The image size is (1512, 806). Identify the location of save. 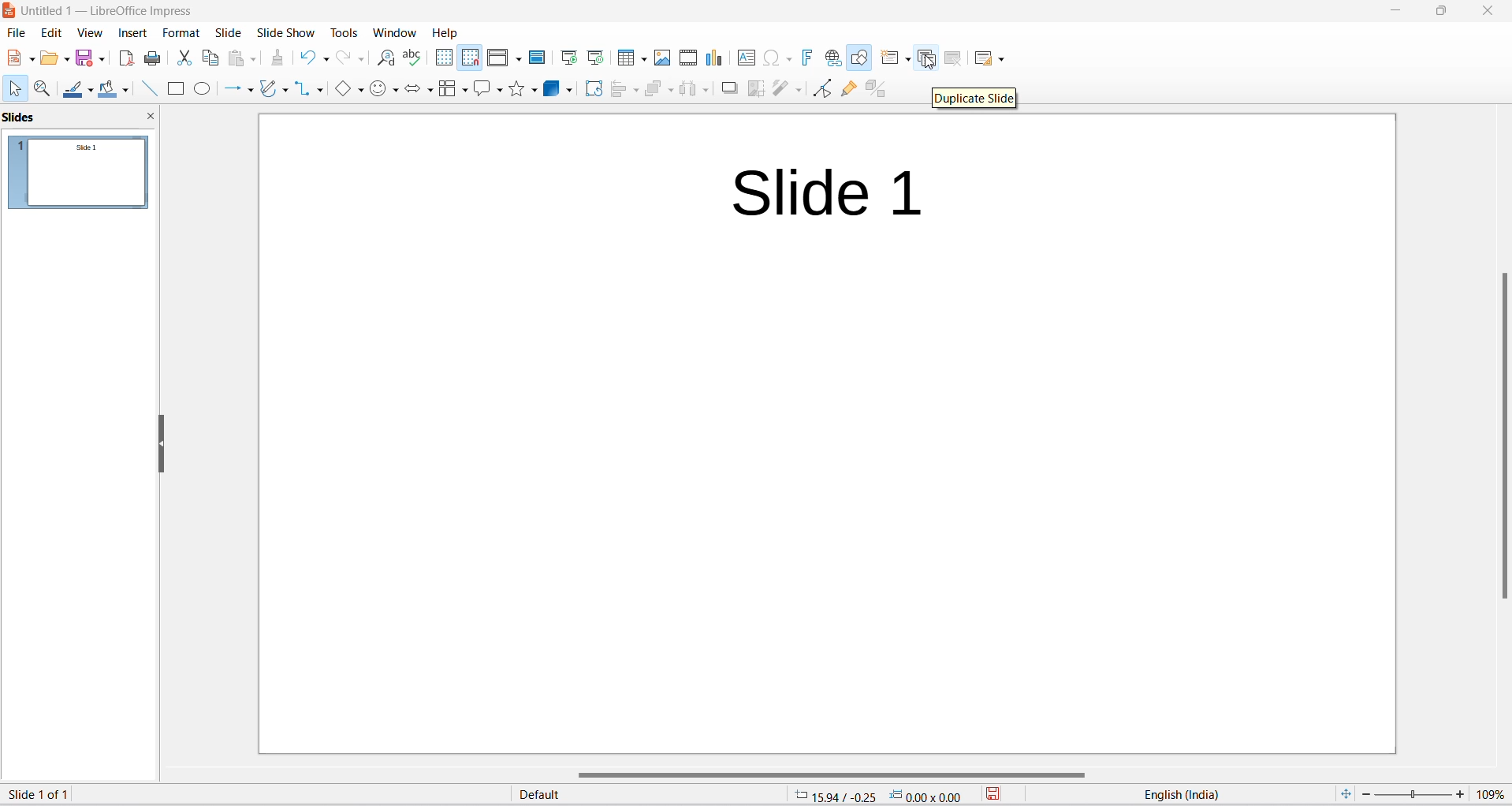
(995, 794).